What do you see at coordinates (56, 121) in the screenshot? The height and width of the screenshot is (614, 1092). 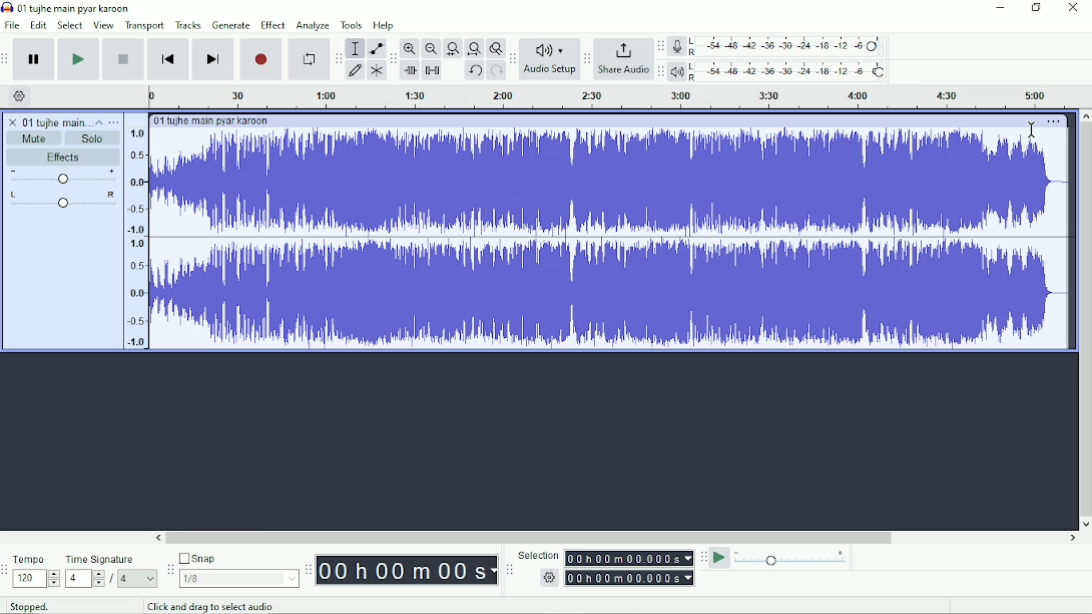 I see `01 tujhe main pyar karoon` at bounding box center [56, 121].